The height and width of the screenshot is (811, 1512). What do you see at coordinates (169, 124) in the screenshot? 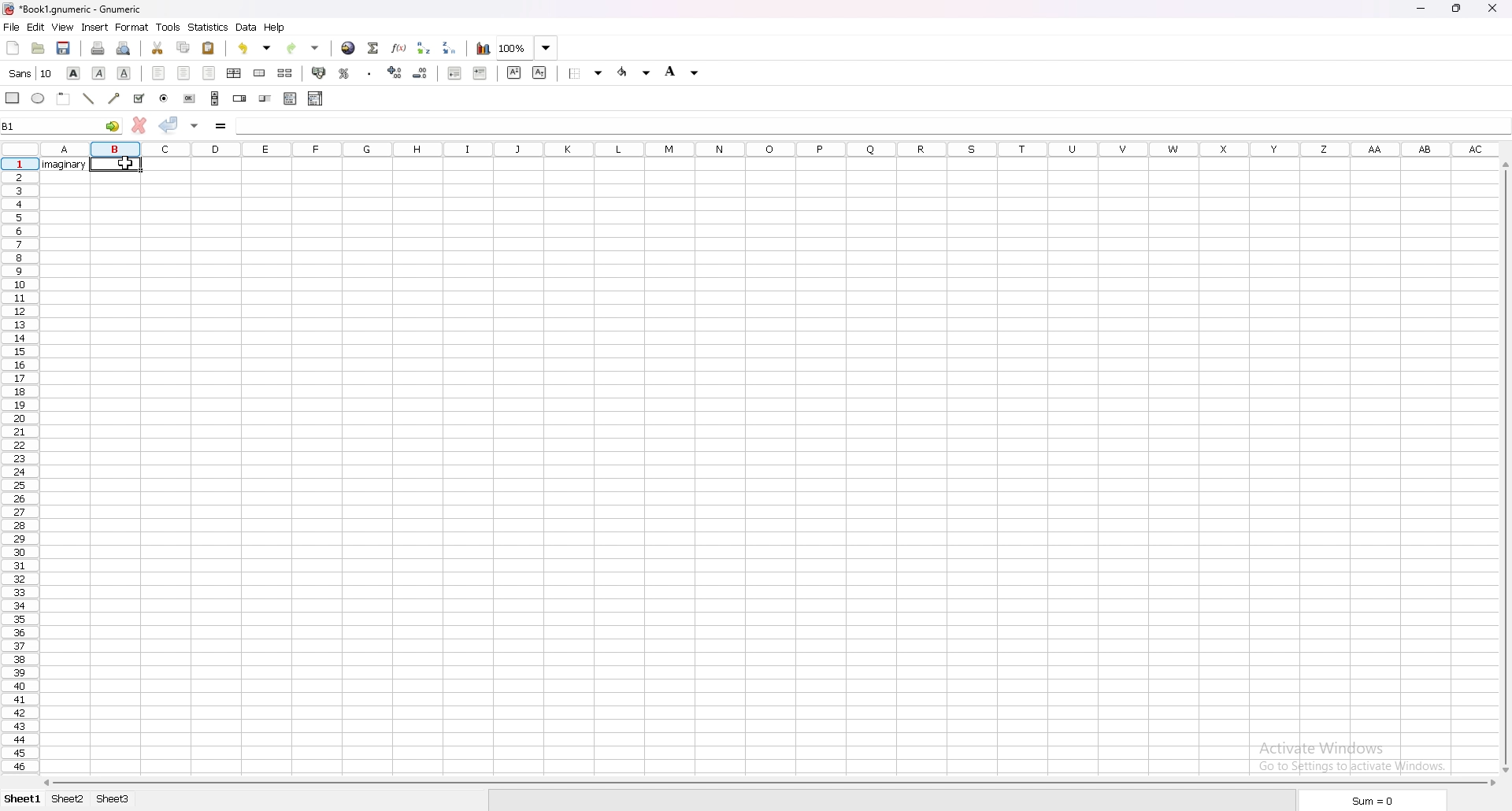
I see `accept changes` at bounding box center [169, 124].